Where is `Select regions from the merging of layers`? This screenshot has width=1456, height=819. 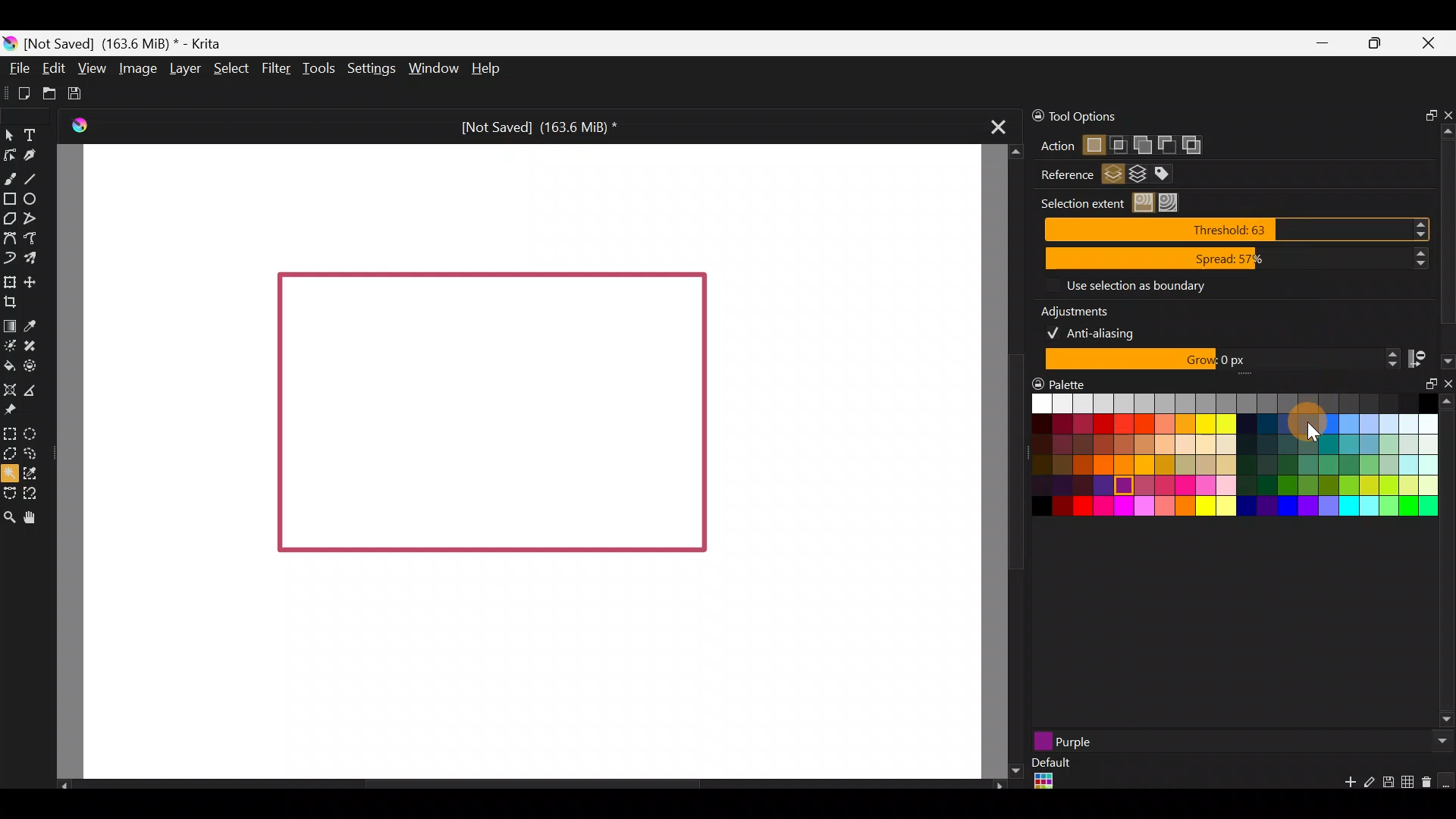 Select regions from the merging of layers is located at coordinates (1138, 177).